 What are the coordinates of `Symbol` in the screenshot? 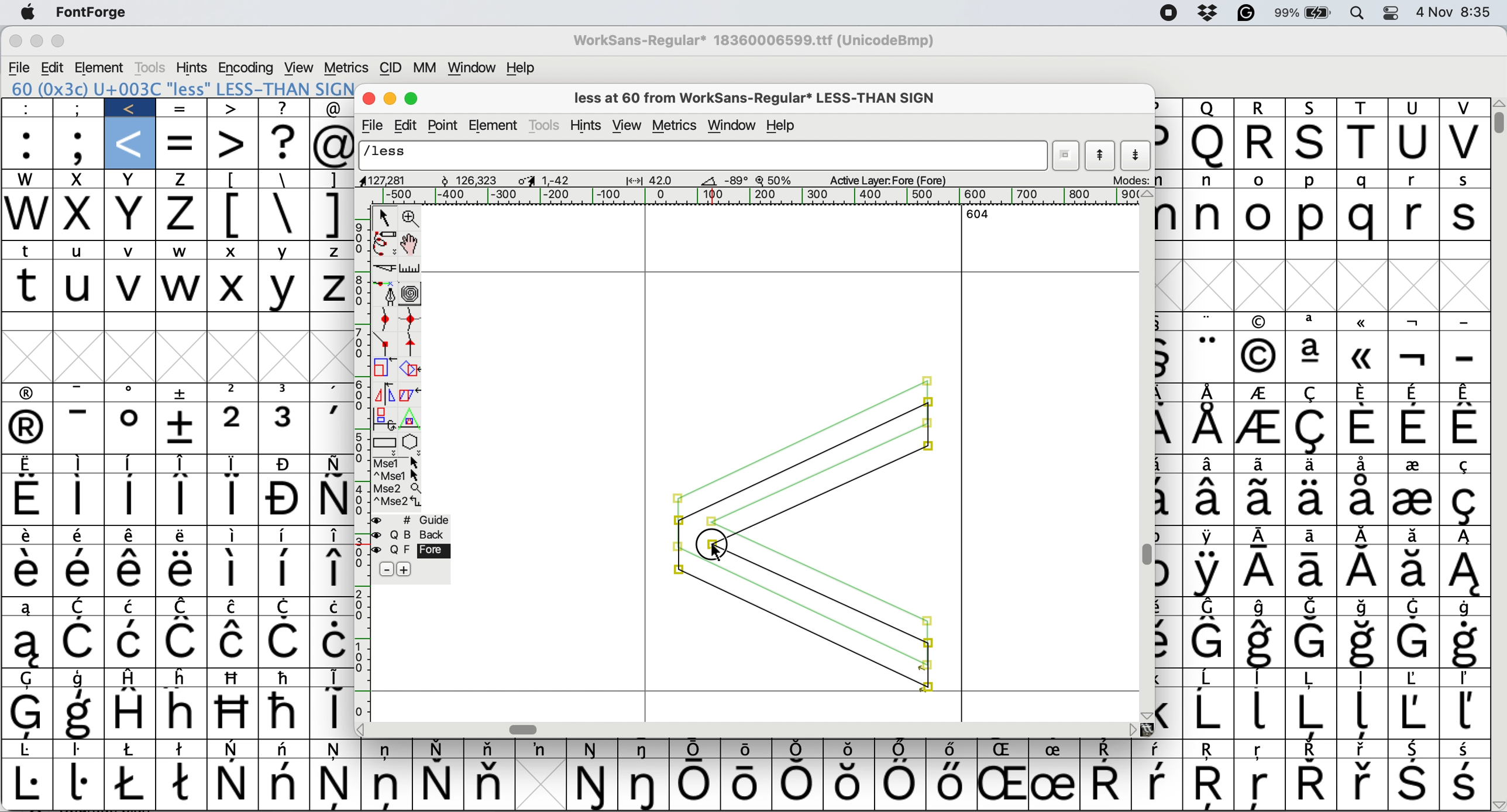 It's located at (285, 713).